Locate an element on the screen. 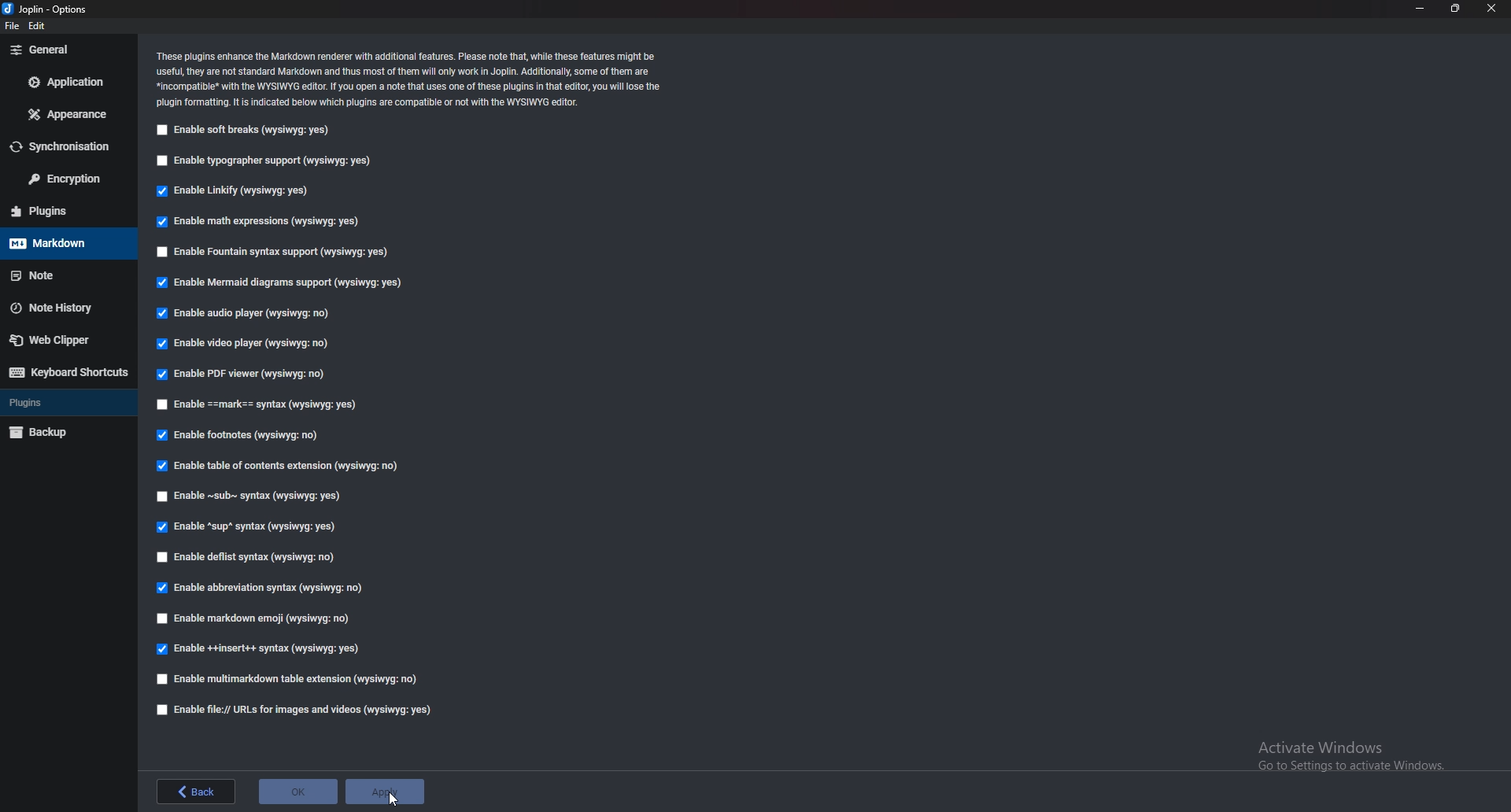  close is located at coordinates (1493, 8).